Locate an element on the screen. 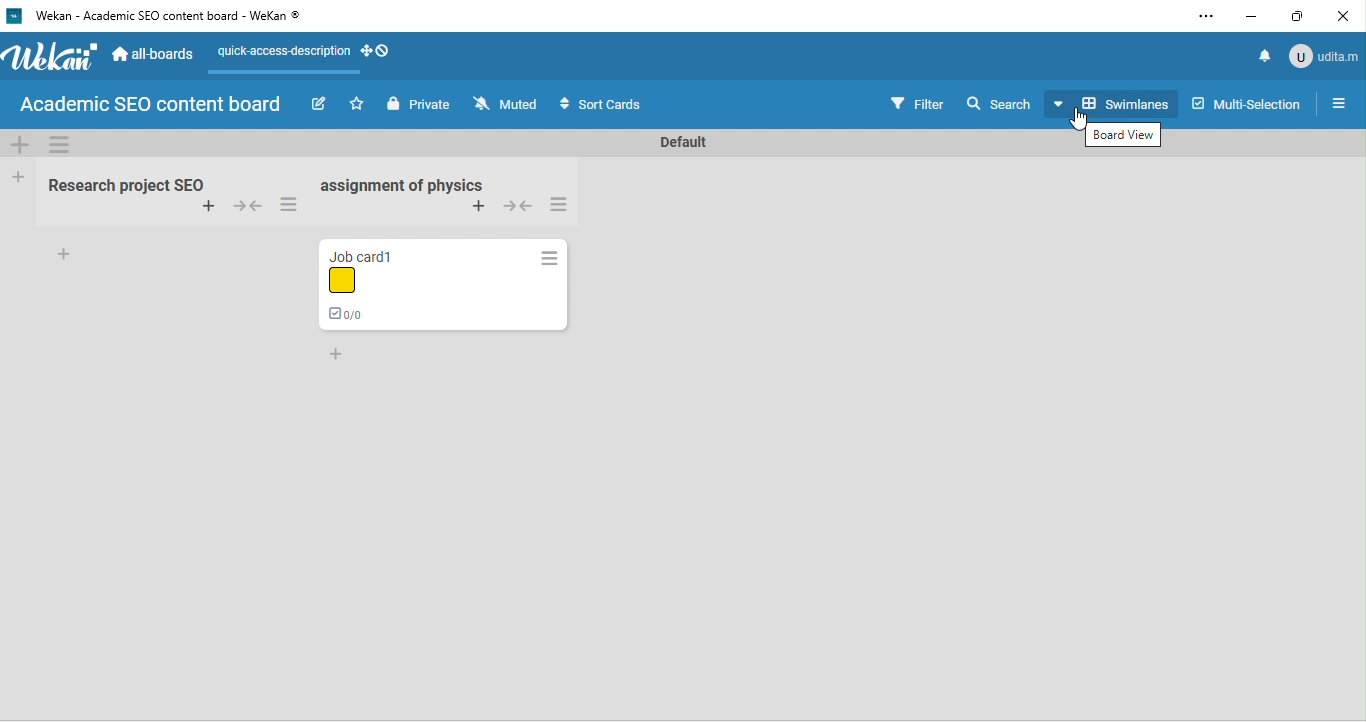 This screenshot has height=722, width=1366. Add is located at coordinates (18, 179).